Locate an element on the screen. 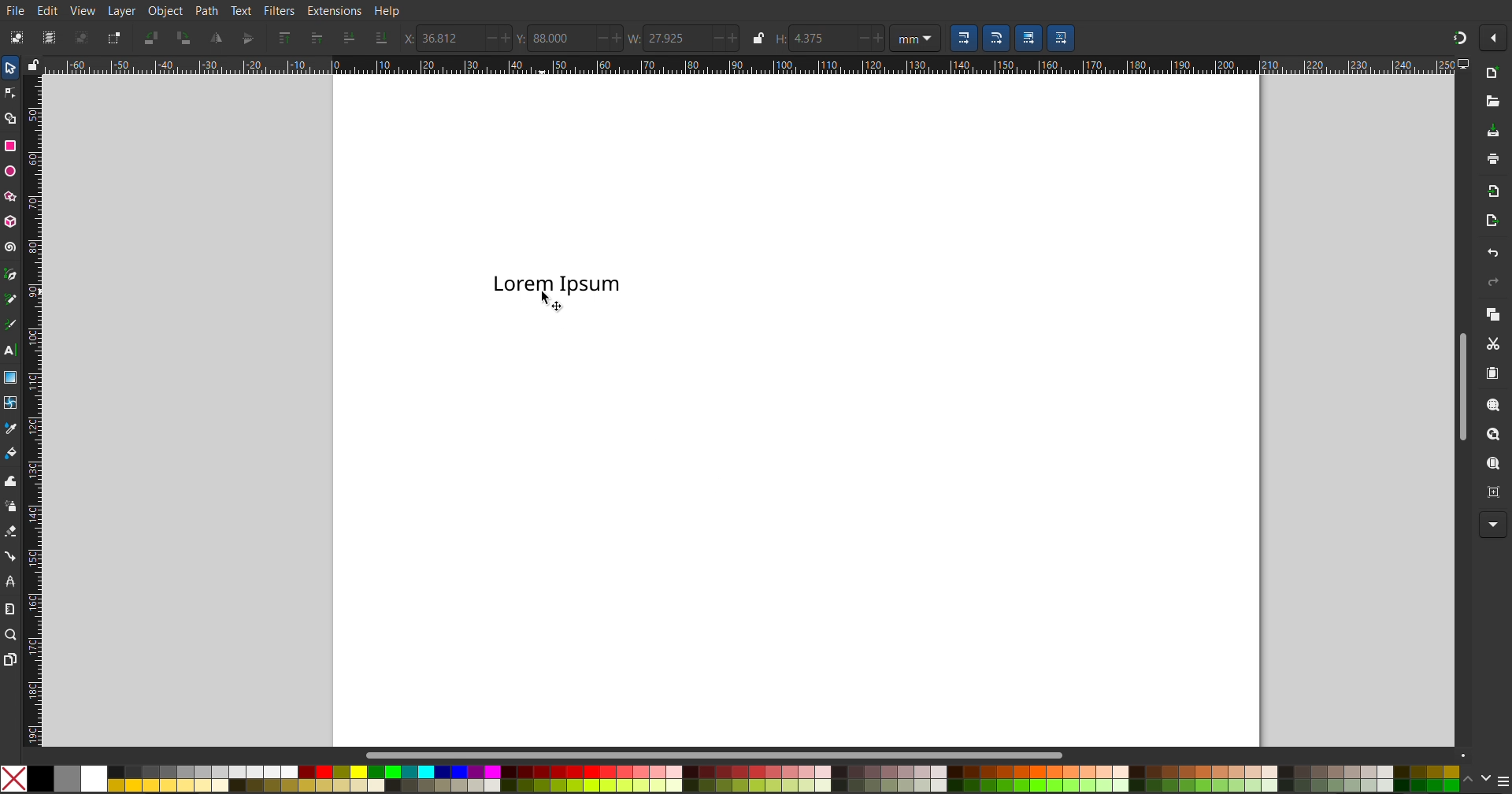 The width and height of the screenshot is (1512, 794). Object is located at coordinates (165, 9).